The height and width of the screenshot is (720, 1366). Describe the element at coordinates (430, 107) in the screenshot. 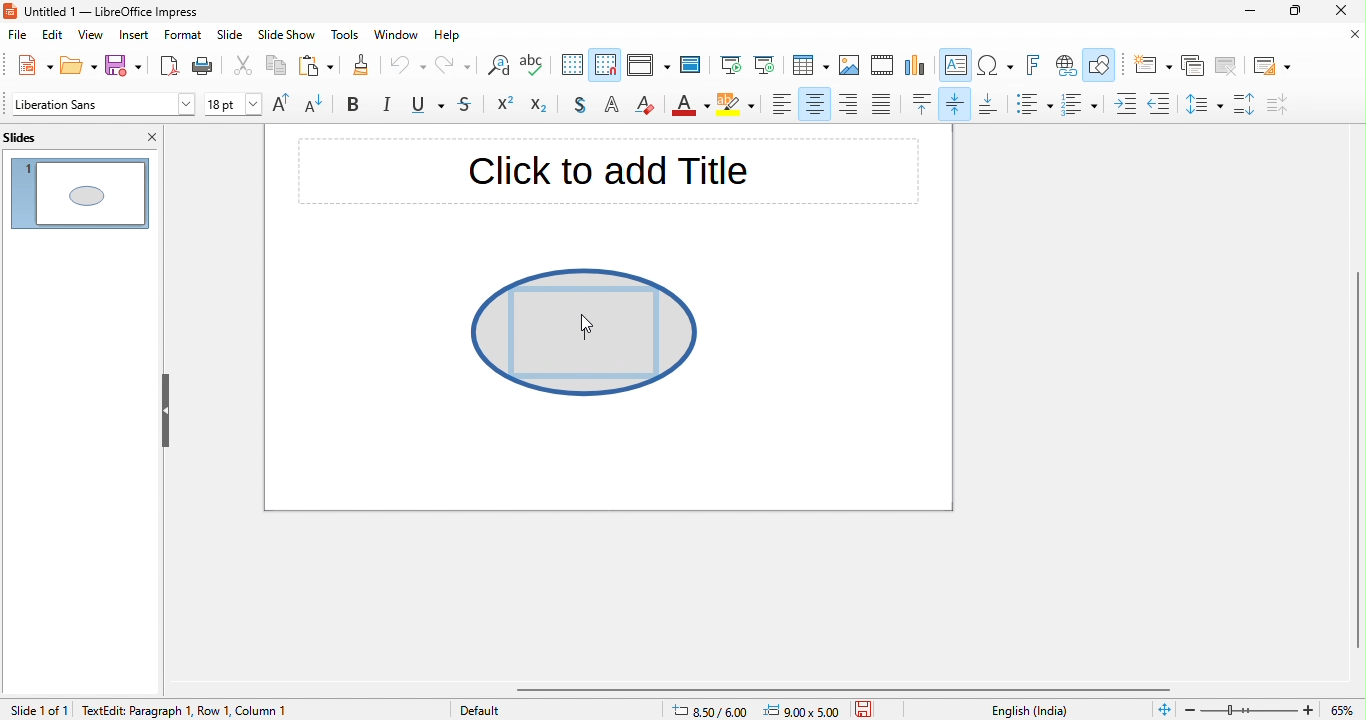

I see `underline` at that location.